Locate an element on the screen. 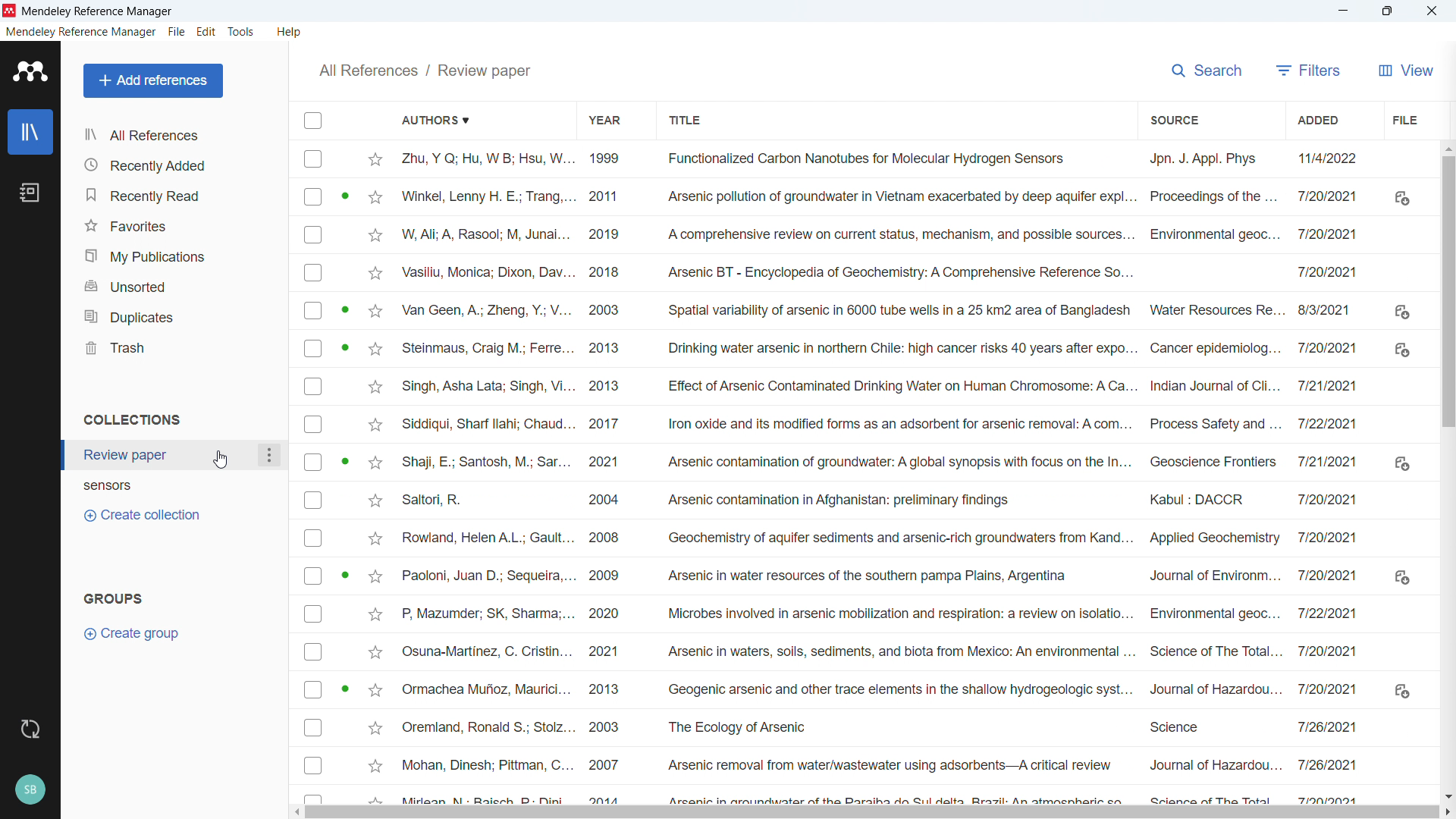 The width and height of the screenshot is (1456, 819). Sort by year of publication  is located at coordinates (604, 119).